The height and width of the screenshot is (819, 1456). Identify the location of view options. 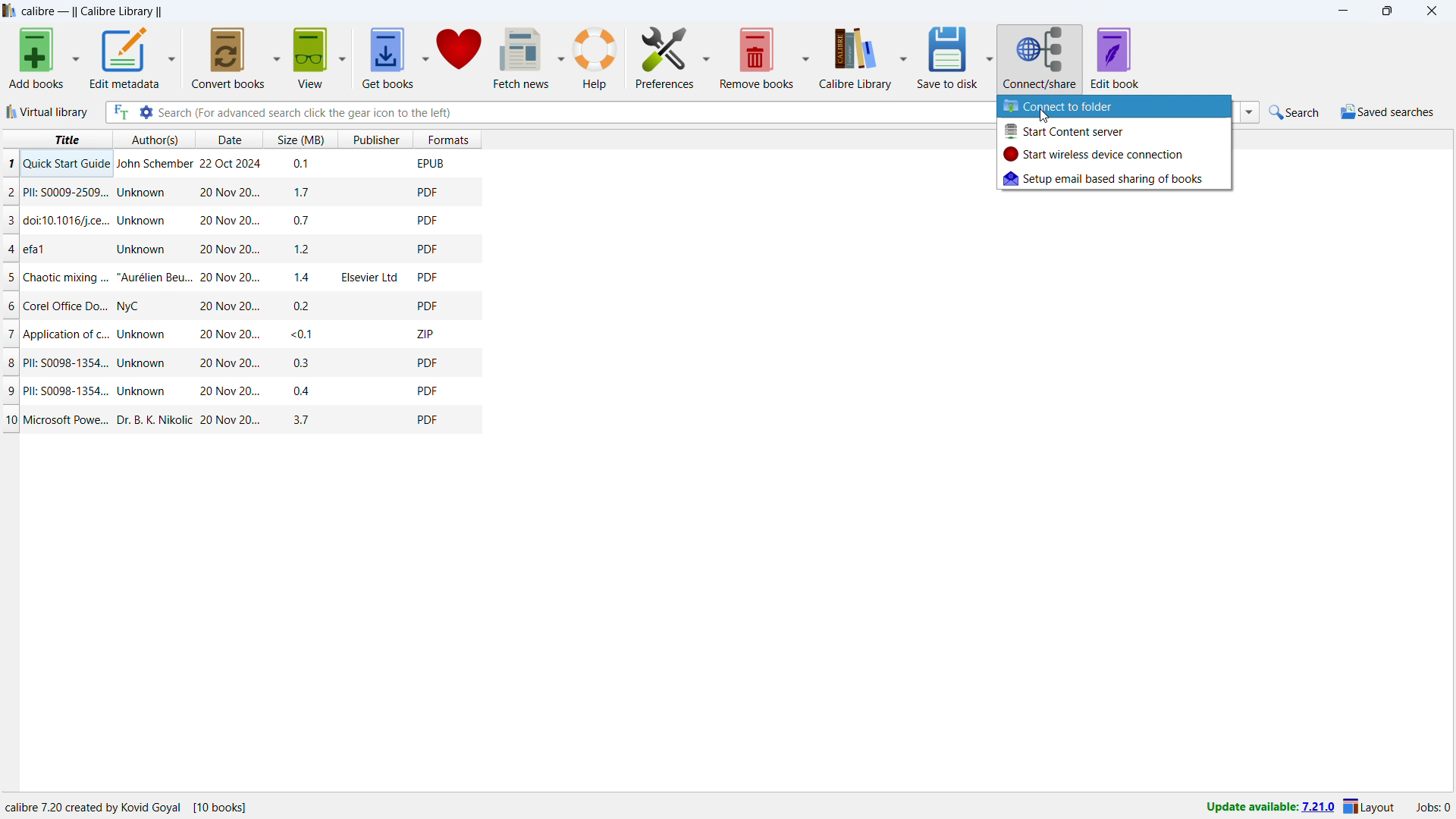
(342, 57).